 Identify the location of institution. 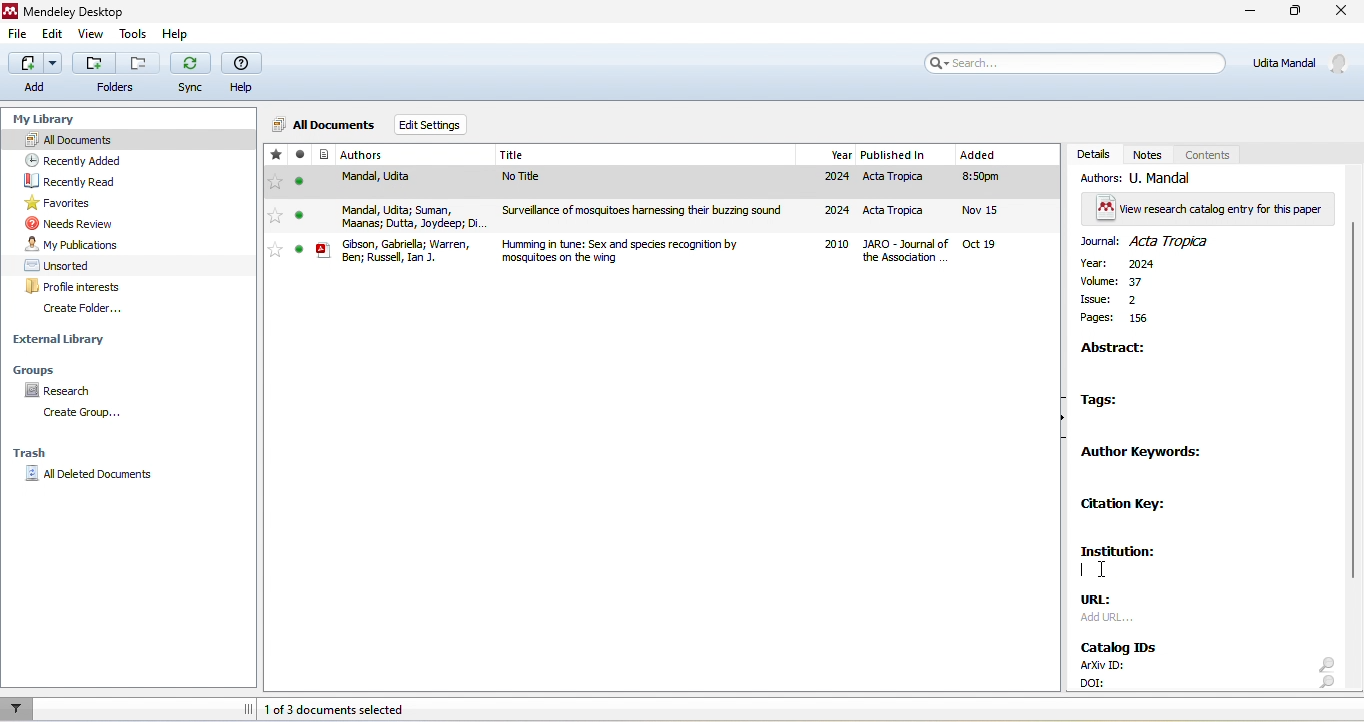
(1127, 553).